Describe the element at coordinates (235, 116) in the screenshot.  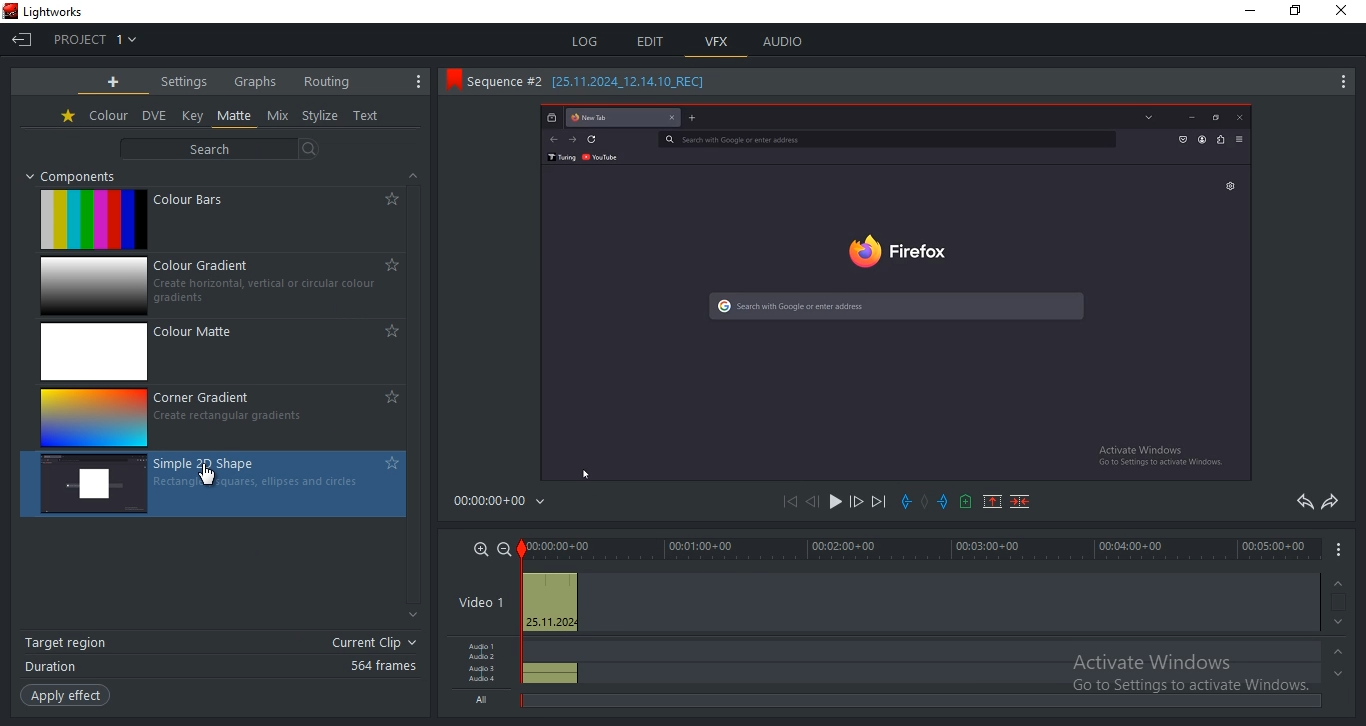
I see `matte` at that location.